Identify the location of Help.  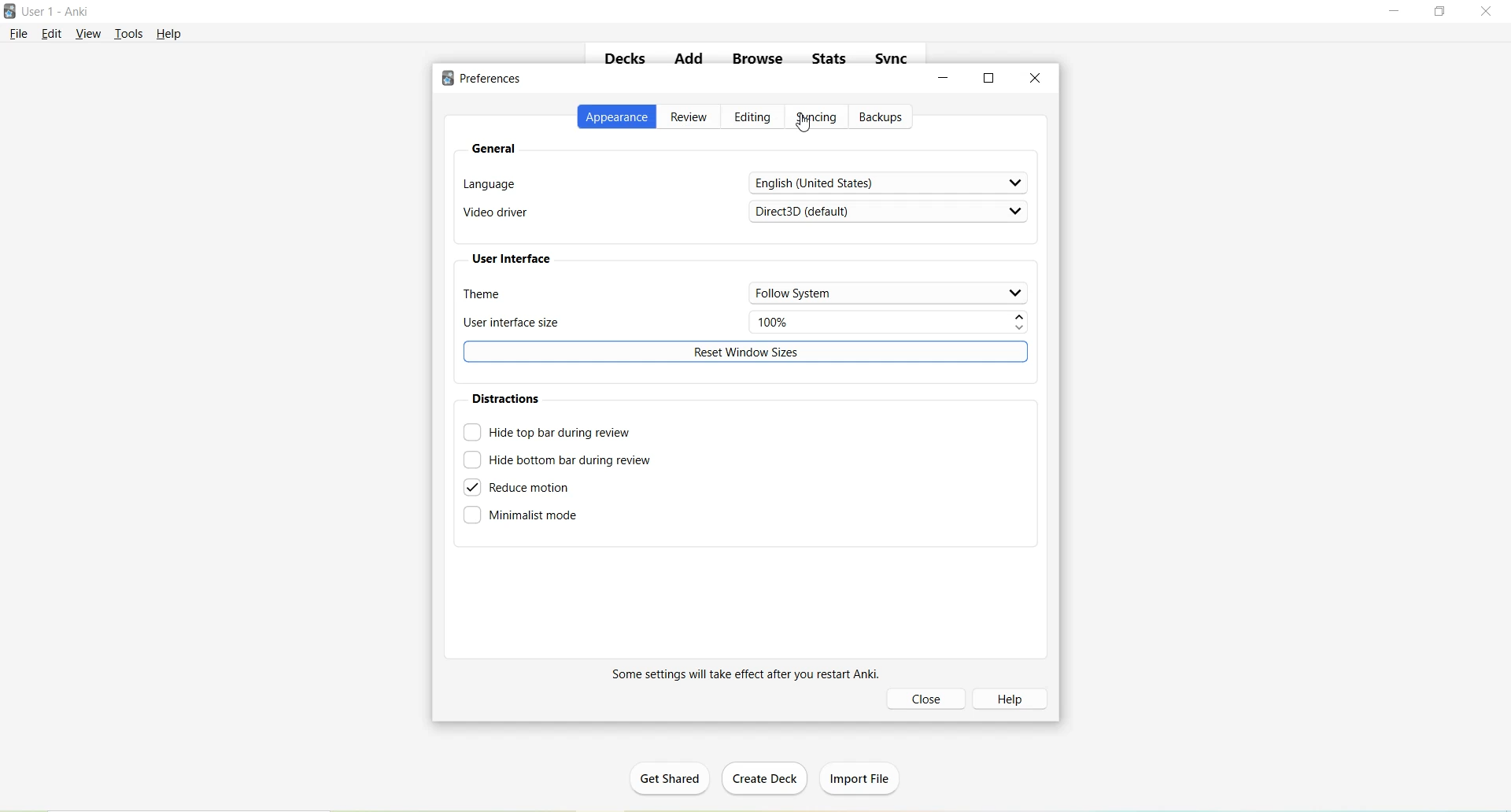
(169, 34).